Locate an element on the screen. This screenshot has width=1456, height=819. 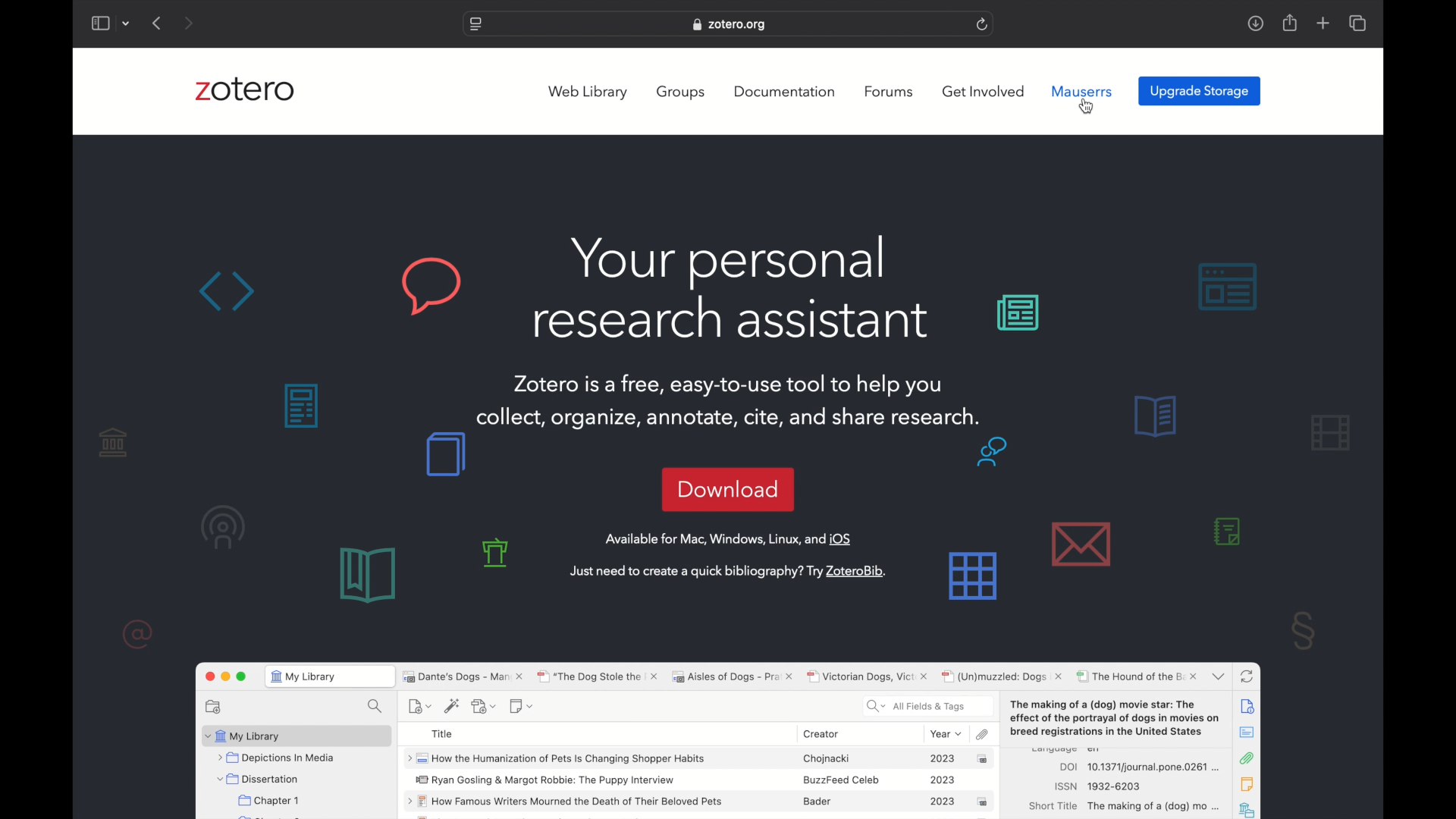
documentation is located at coordinates (786, 92).